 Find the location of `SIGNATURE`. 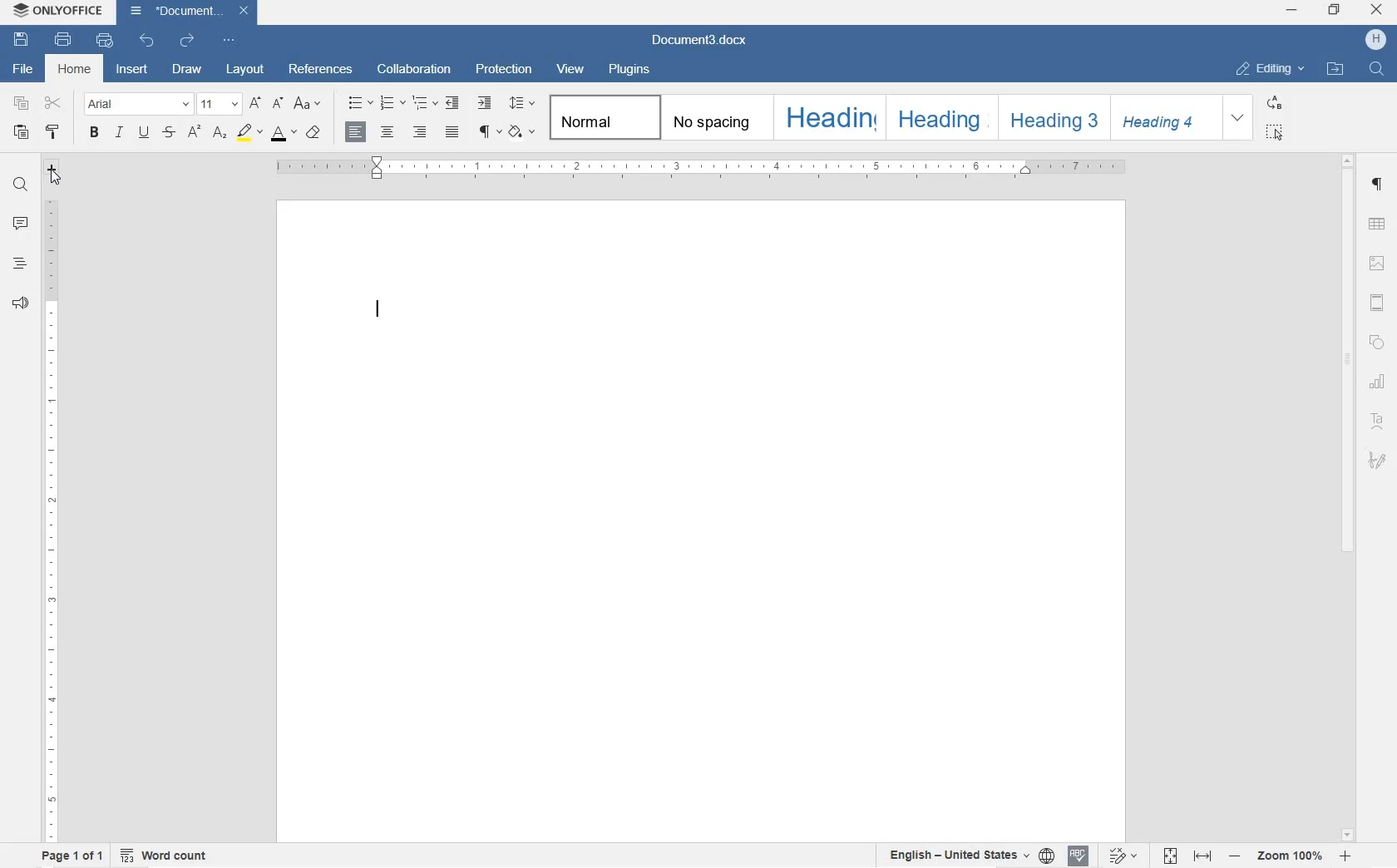

SIGNATURE is located at coordinates (1378, 461).